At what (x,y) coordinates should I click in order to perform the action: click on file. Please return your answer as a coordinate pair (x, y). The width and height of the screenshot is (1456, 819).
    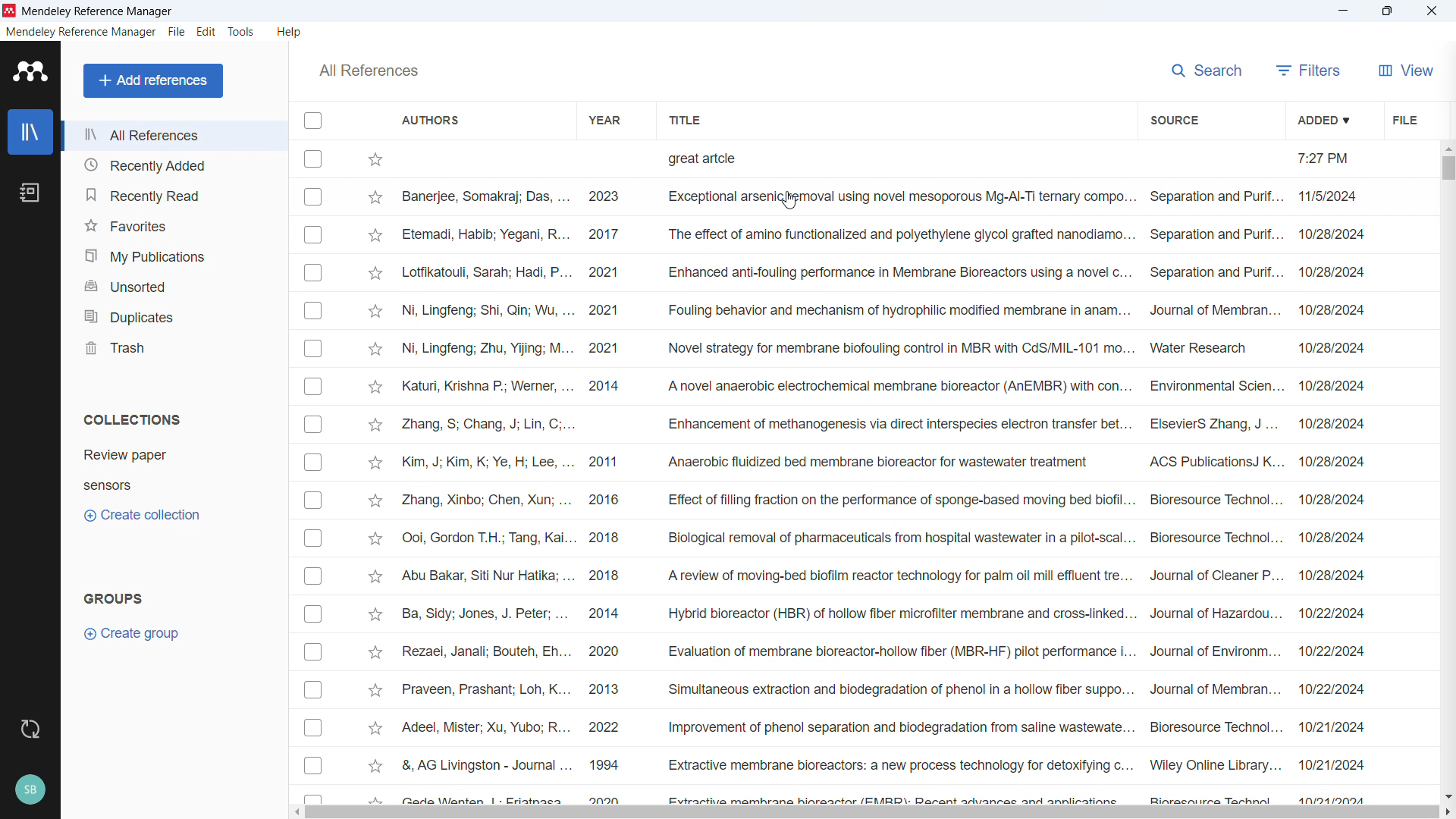
    Looking at the image, I should click on (177, 33).